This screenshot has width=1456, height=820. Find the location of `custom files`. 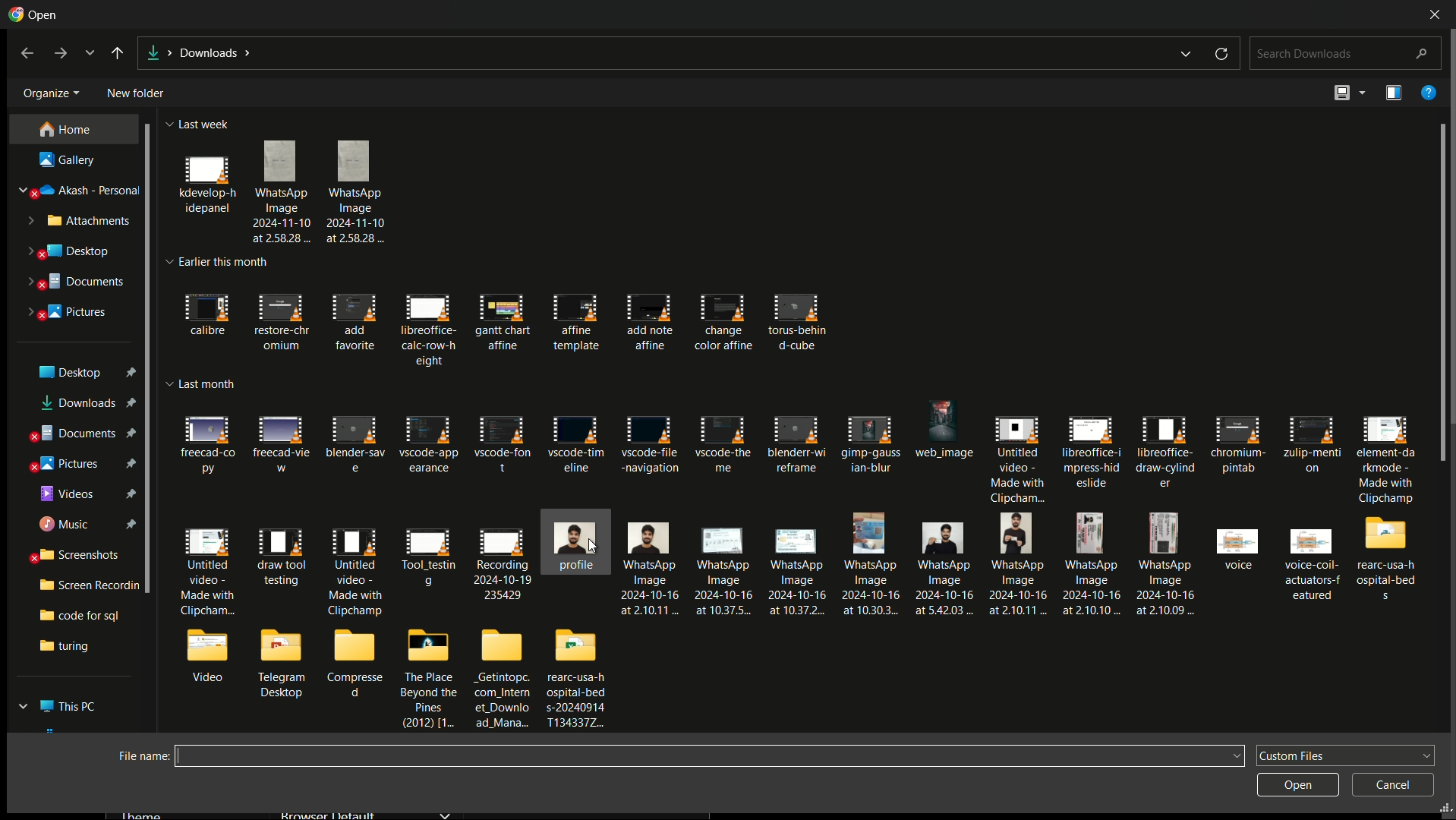

custom files is located at coordinates (1345, 755).